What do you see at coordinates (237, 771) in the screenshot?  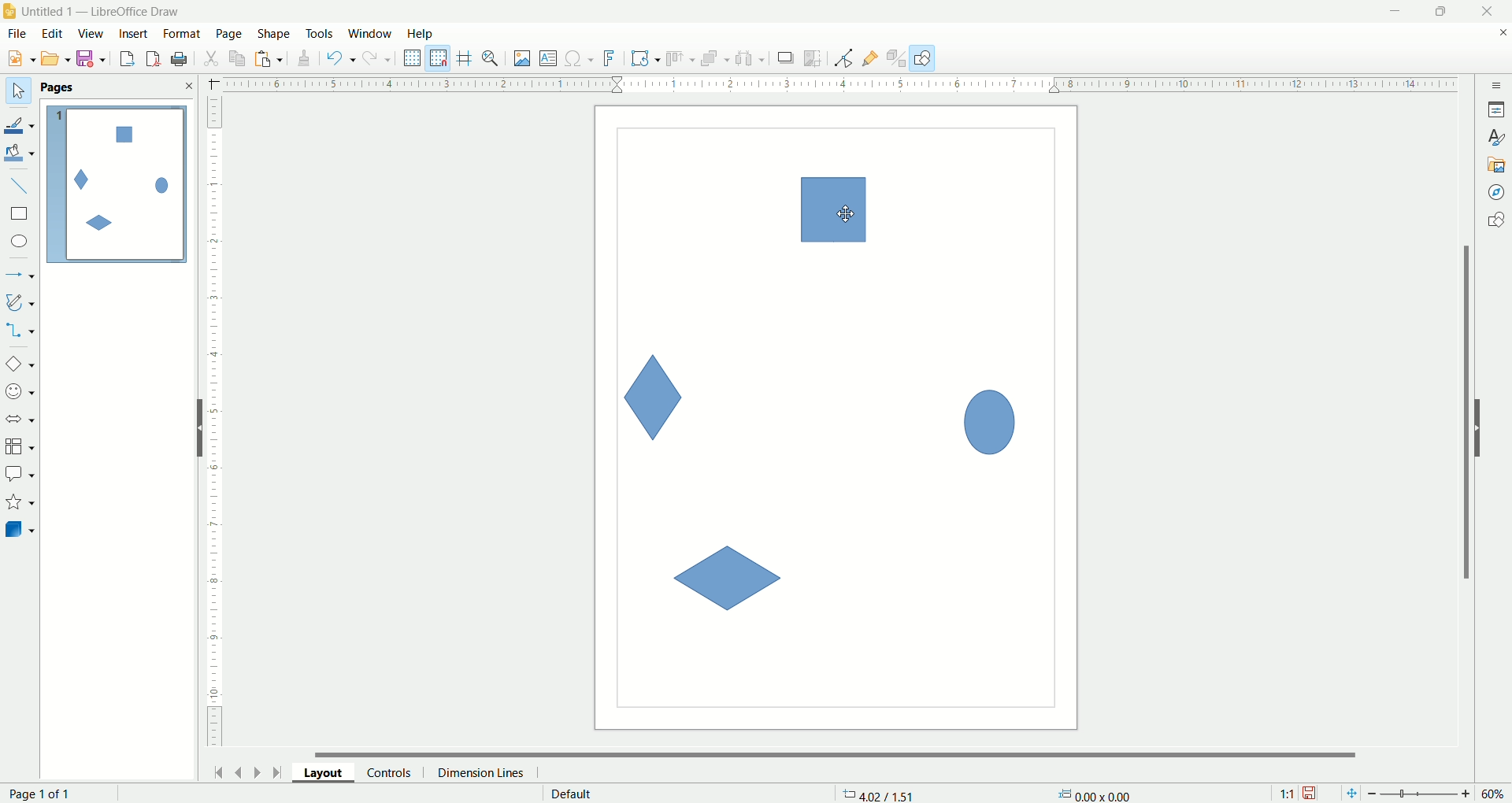 I see `previous page` at bounding box center [237, 771].